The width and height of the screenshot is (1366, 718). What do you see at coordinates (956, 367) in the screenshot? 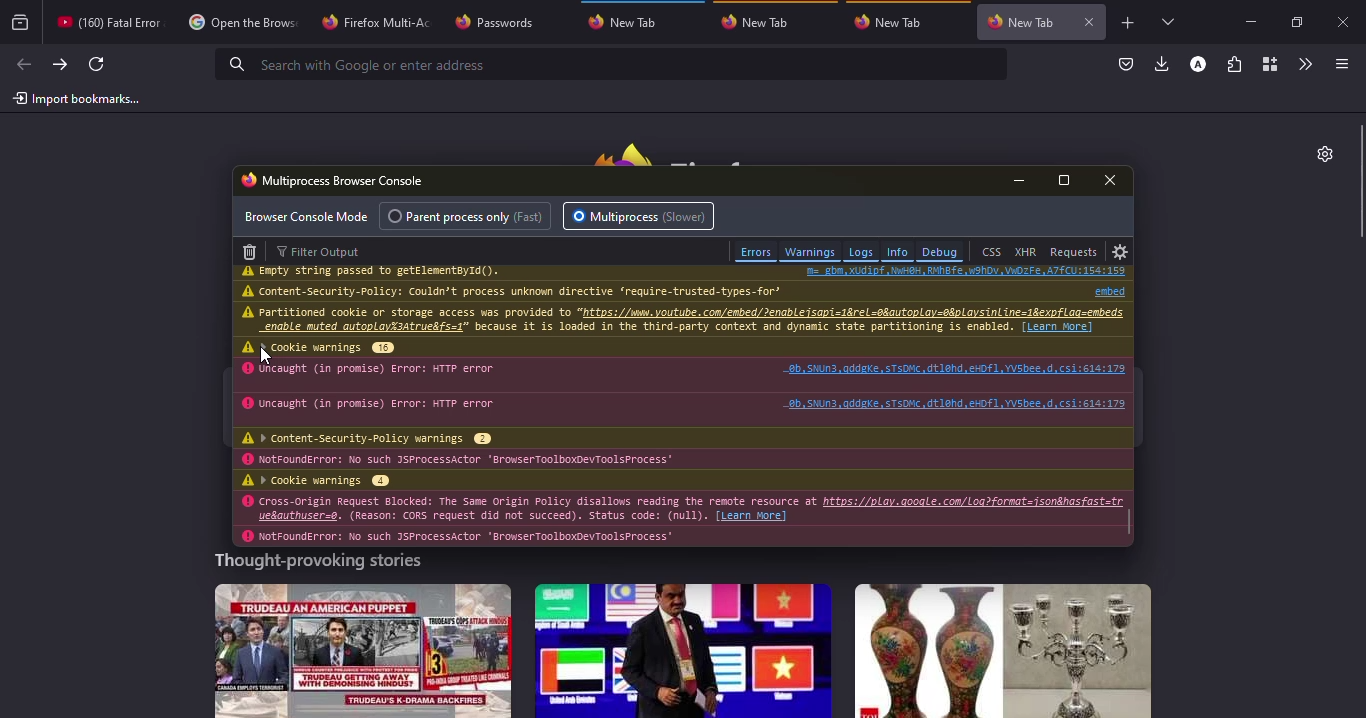
I see `-ob` at bounding box center [956, 367].